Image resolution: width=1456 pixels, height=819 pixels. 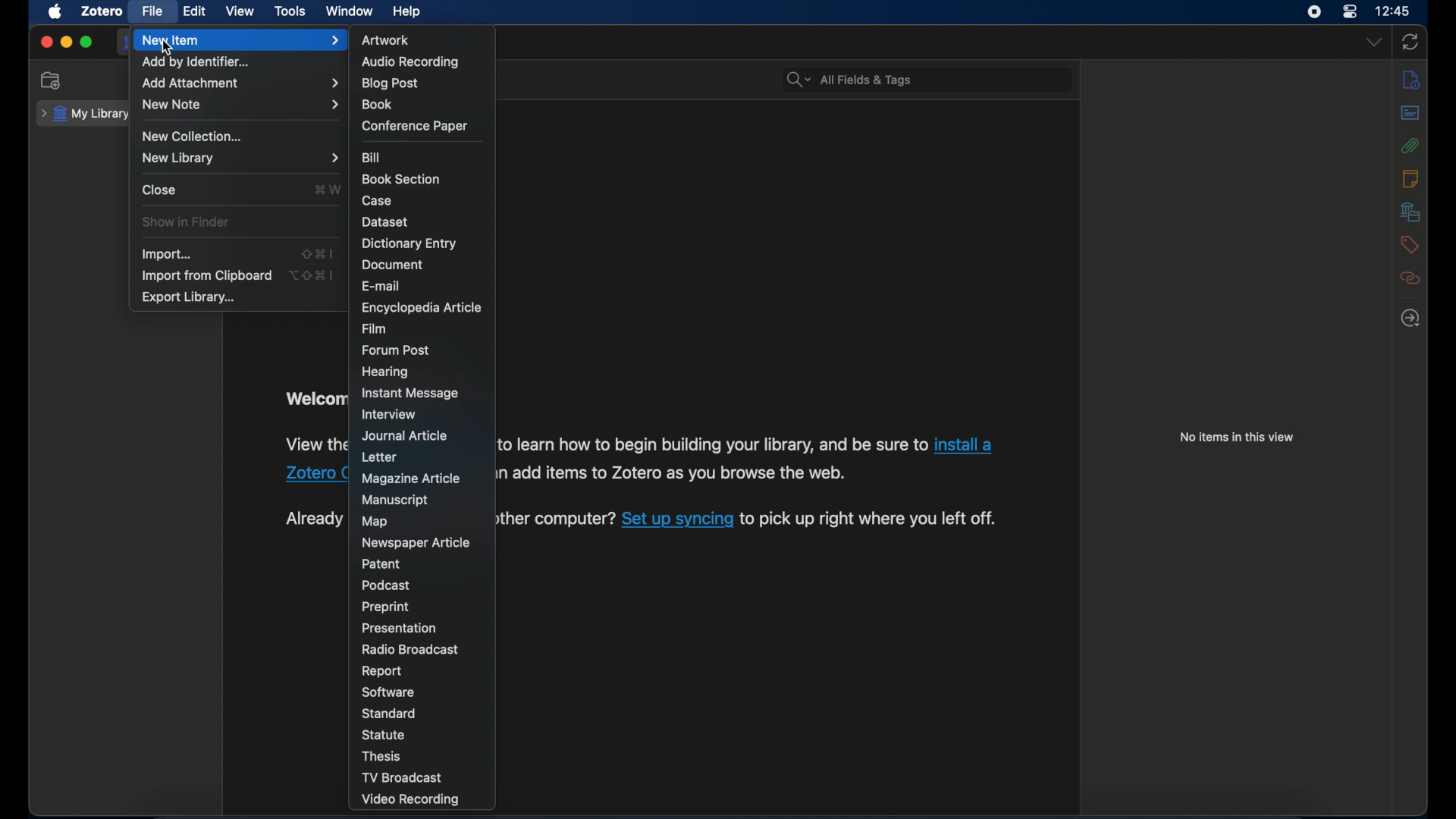 I want to click on import from clipboard, so click(x=206, y=275).